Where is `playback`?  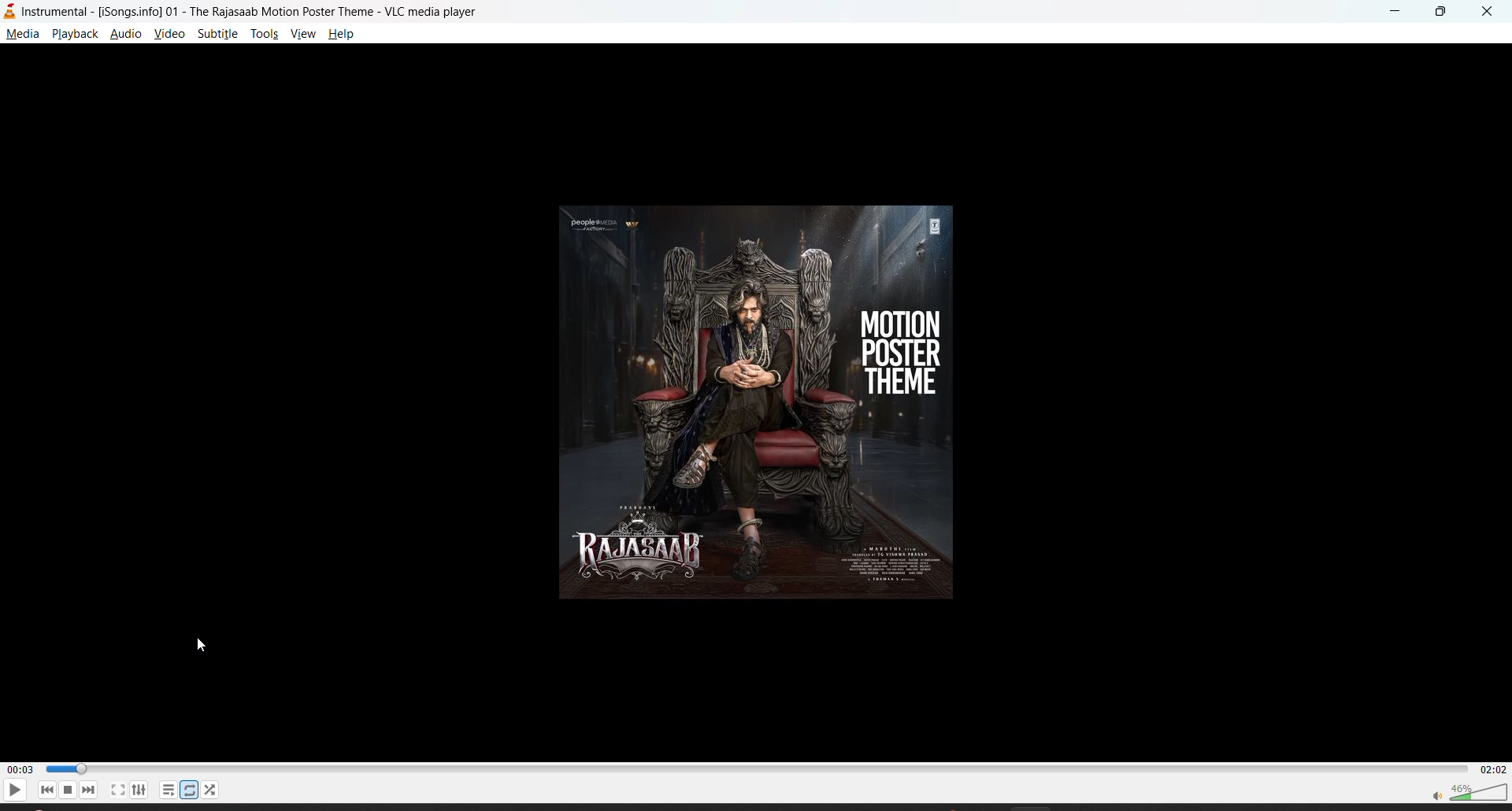 playback is located at coordinates (73, 35).